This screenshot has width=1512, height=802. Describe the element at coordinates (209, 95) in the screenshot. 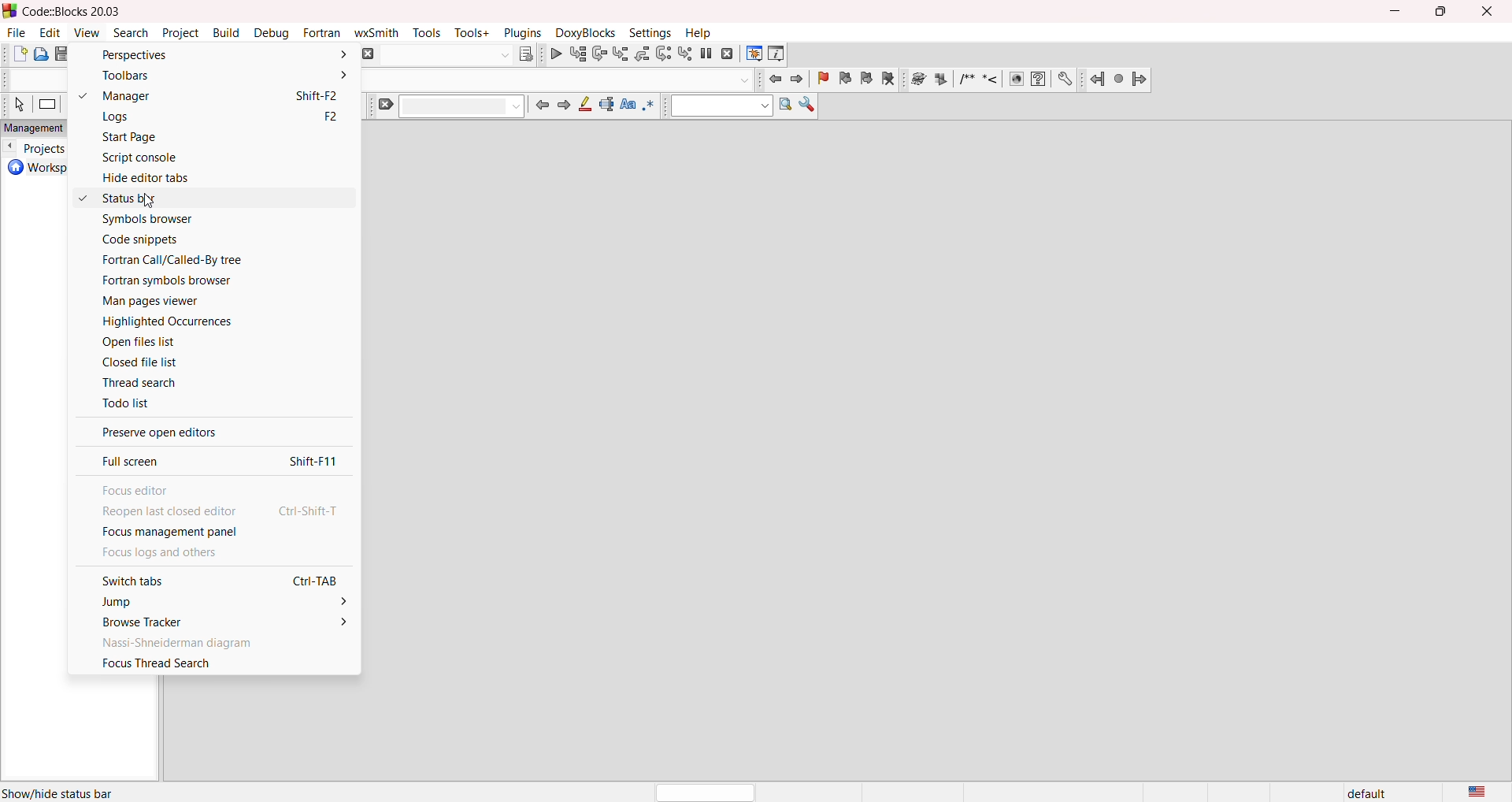

I see `manager` at that location.